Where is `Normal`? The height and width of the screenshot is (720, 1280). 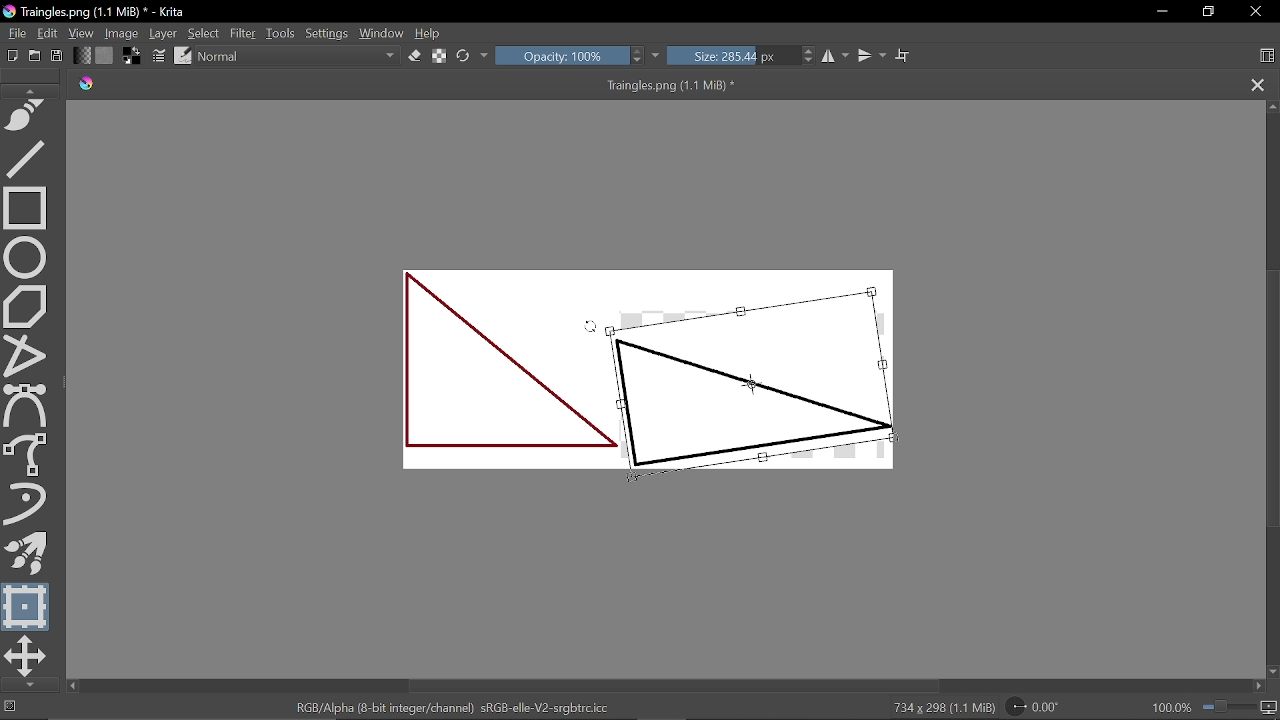
Normal is located at coordinates (299, 58).